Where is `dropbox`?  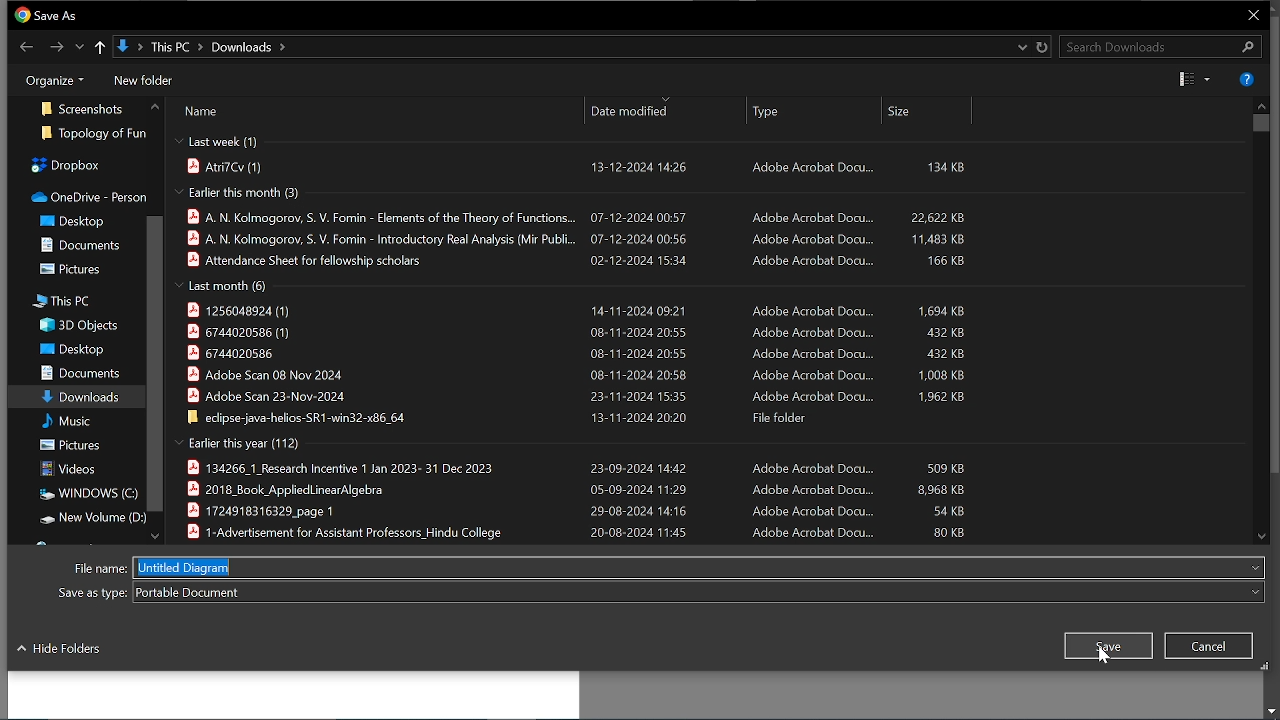 dropbox is located at coordinates (67, 166).